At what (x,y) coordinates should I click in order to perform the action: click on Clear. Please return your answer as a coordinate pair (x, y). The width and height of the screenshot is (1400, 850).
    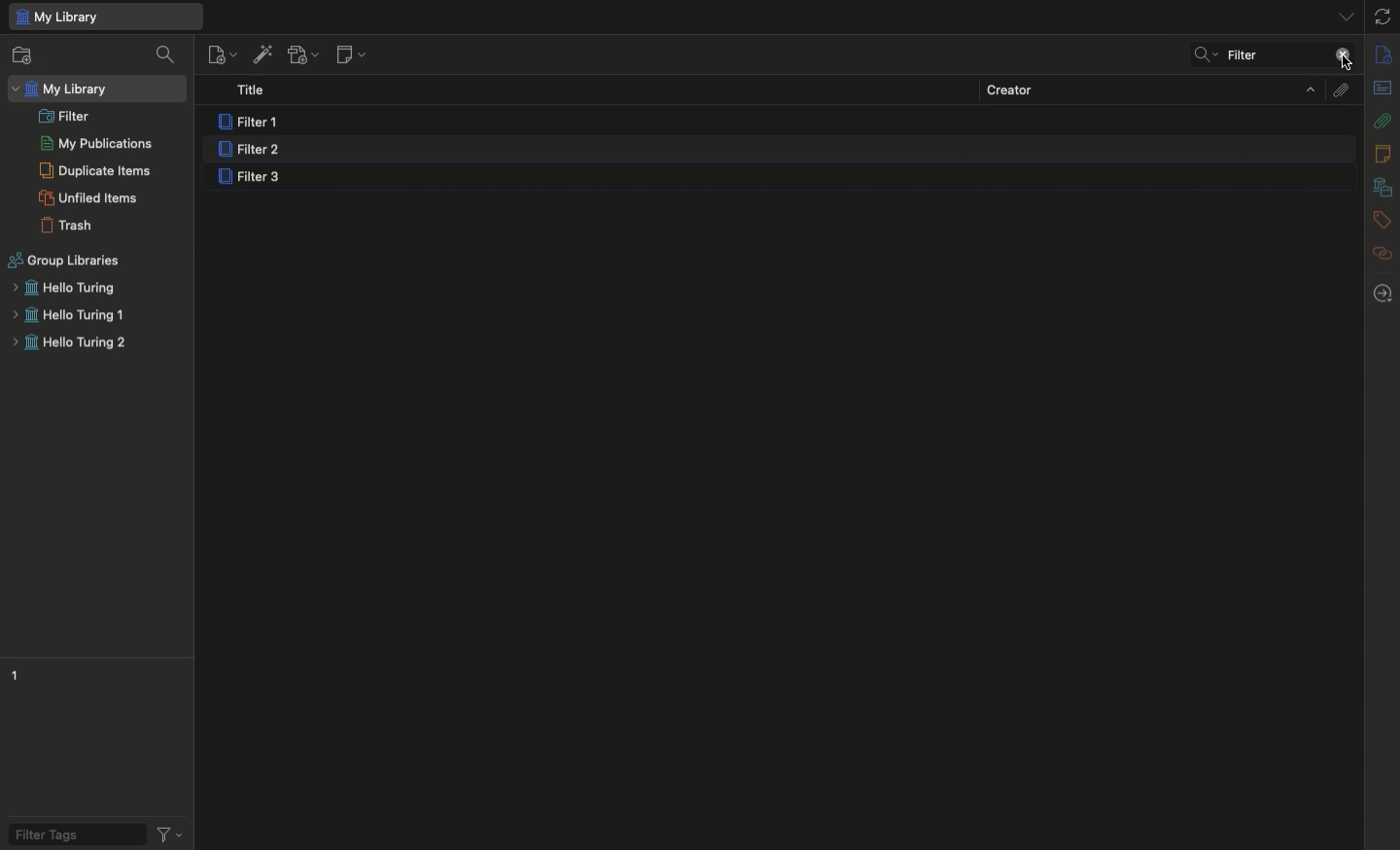
    Looking at the image, I should click on (1342, 56).